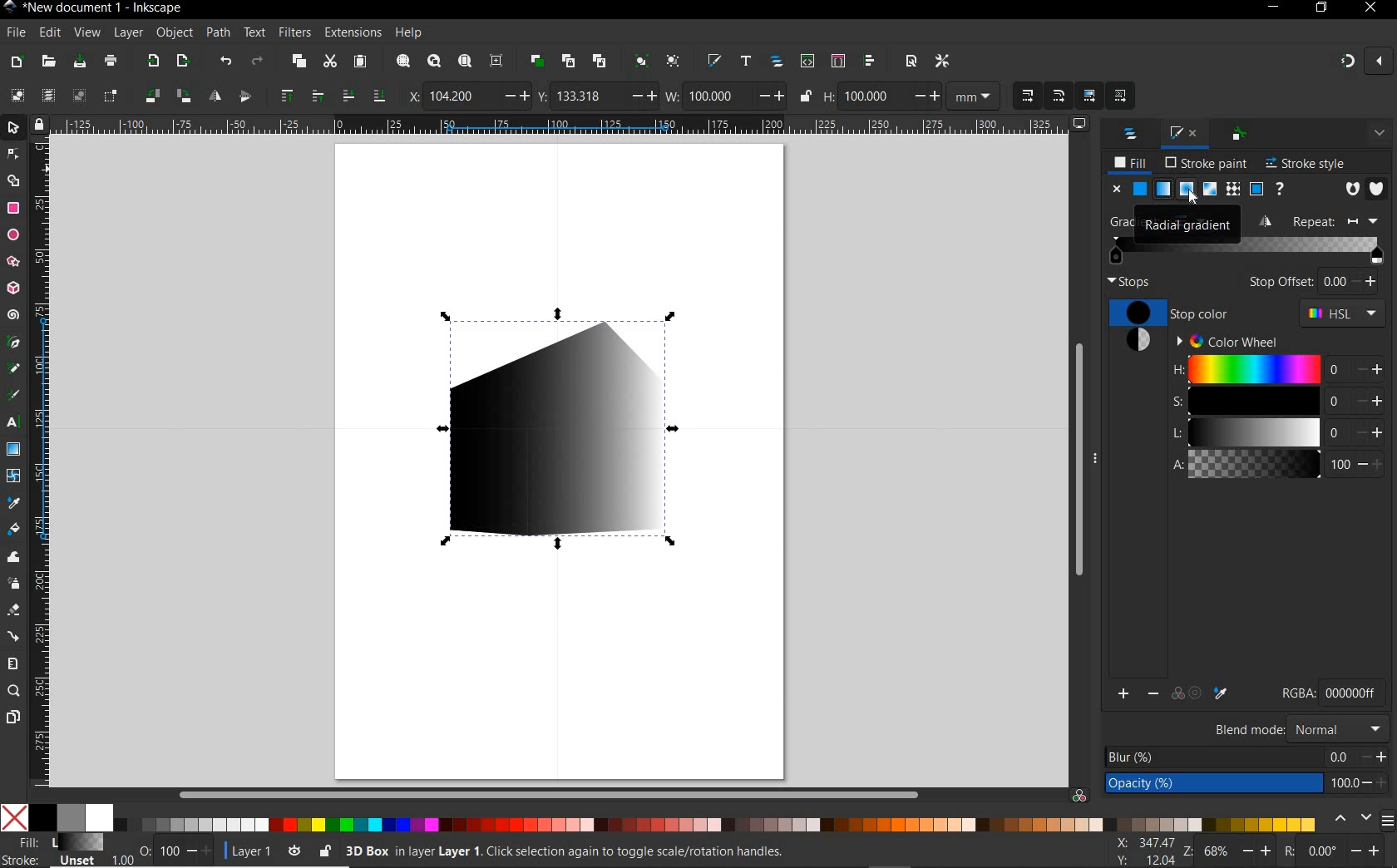  Describe the element at coordinates (41, 461) in the screenshot. I see `RULER` at that location.